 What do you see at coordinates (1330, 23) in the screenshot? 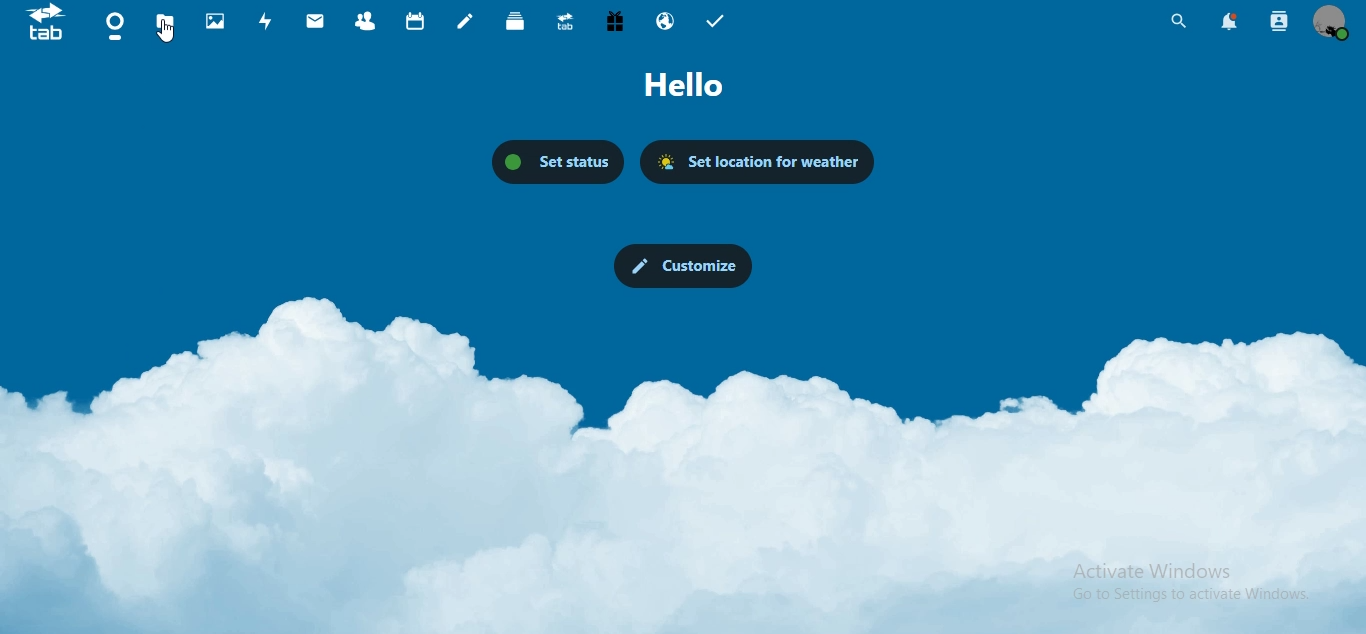
I see `view profile` at bounding box center [1330, 23].